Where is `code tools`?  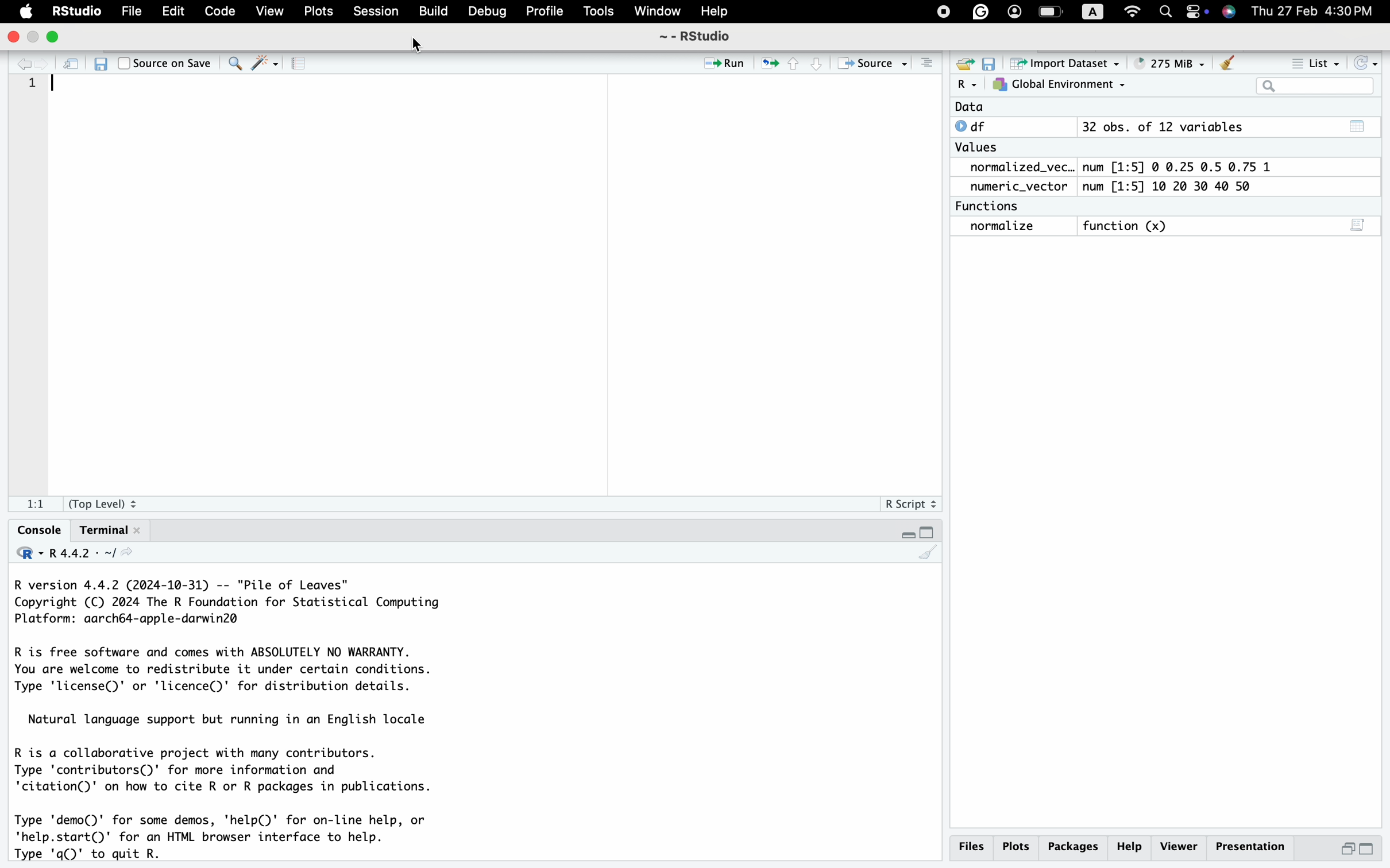
code tools is located at coordinates (265, 65).